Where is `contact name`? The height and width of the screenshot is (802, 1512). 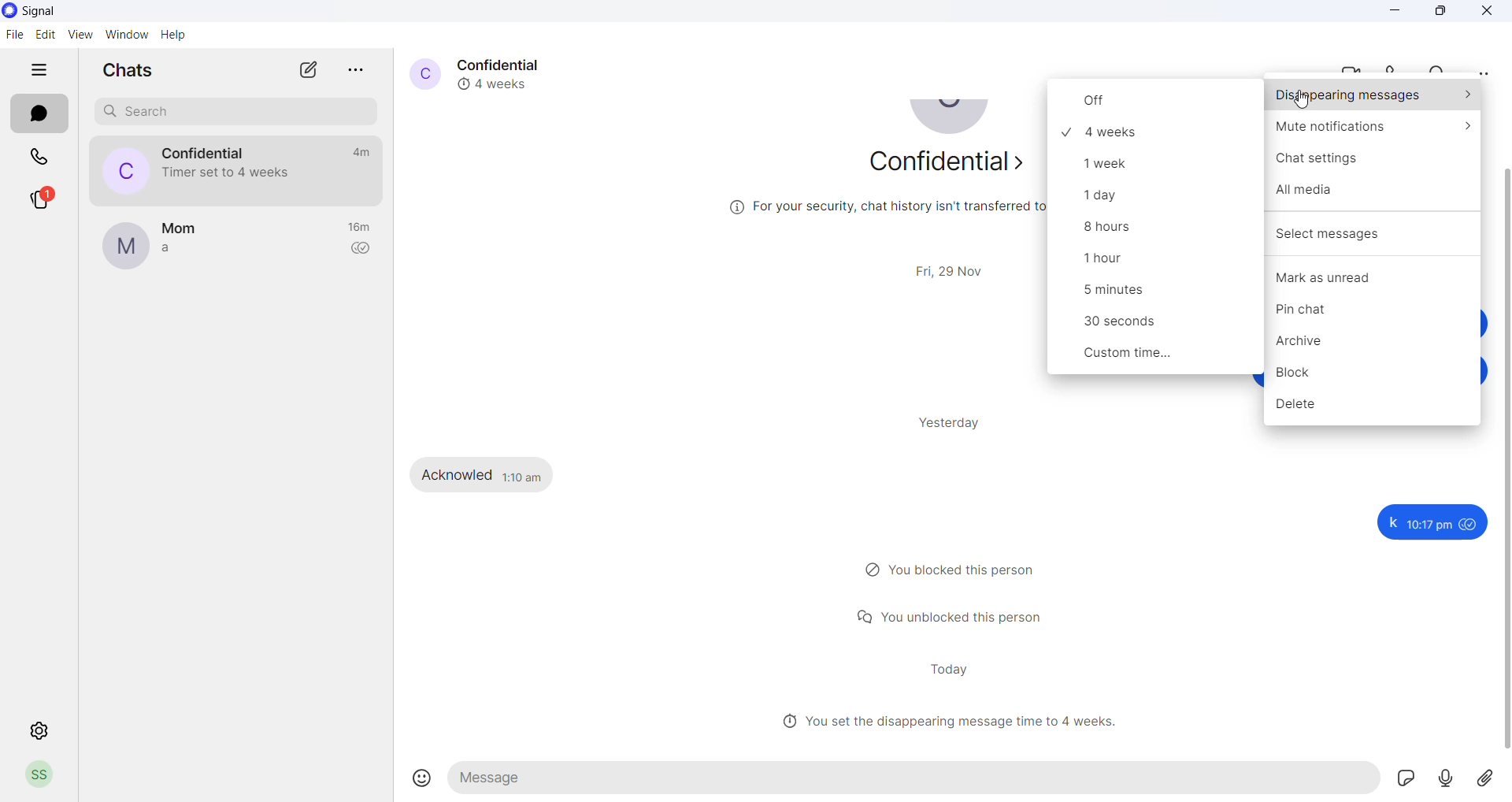
contact name is located at coordinates (506, 63).